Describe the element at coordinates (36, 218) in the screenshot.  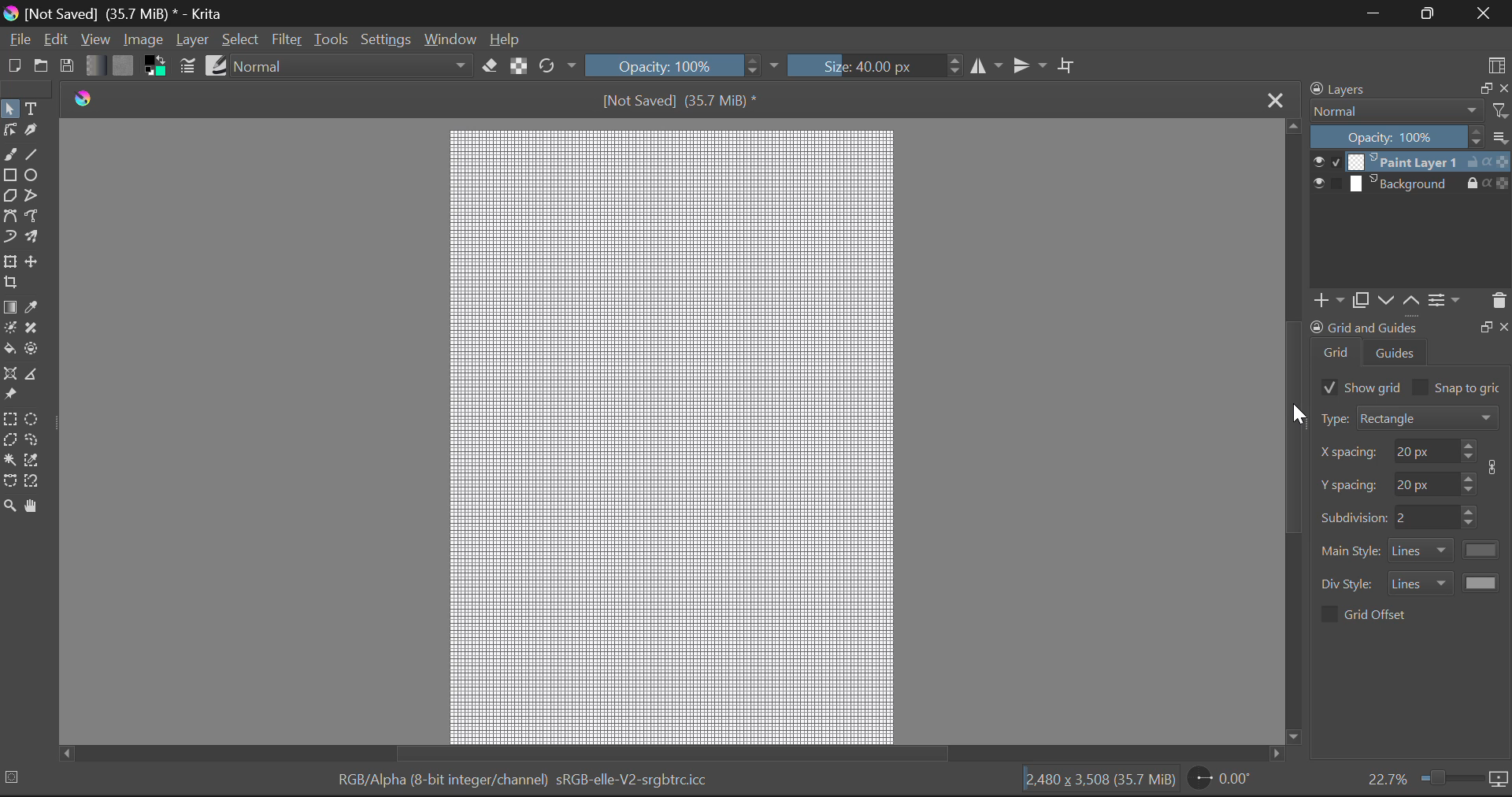
I see `Freehand Path Tool` at that location.